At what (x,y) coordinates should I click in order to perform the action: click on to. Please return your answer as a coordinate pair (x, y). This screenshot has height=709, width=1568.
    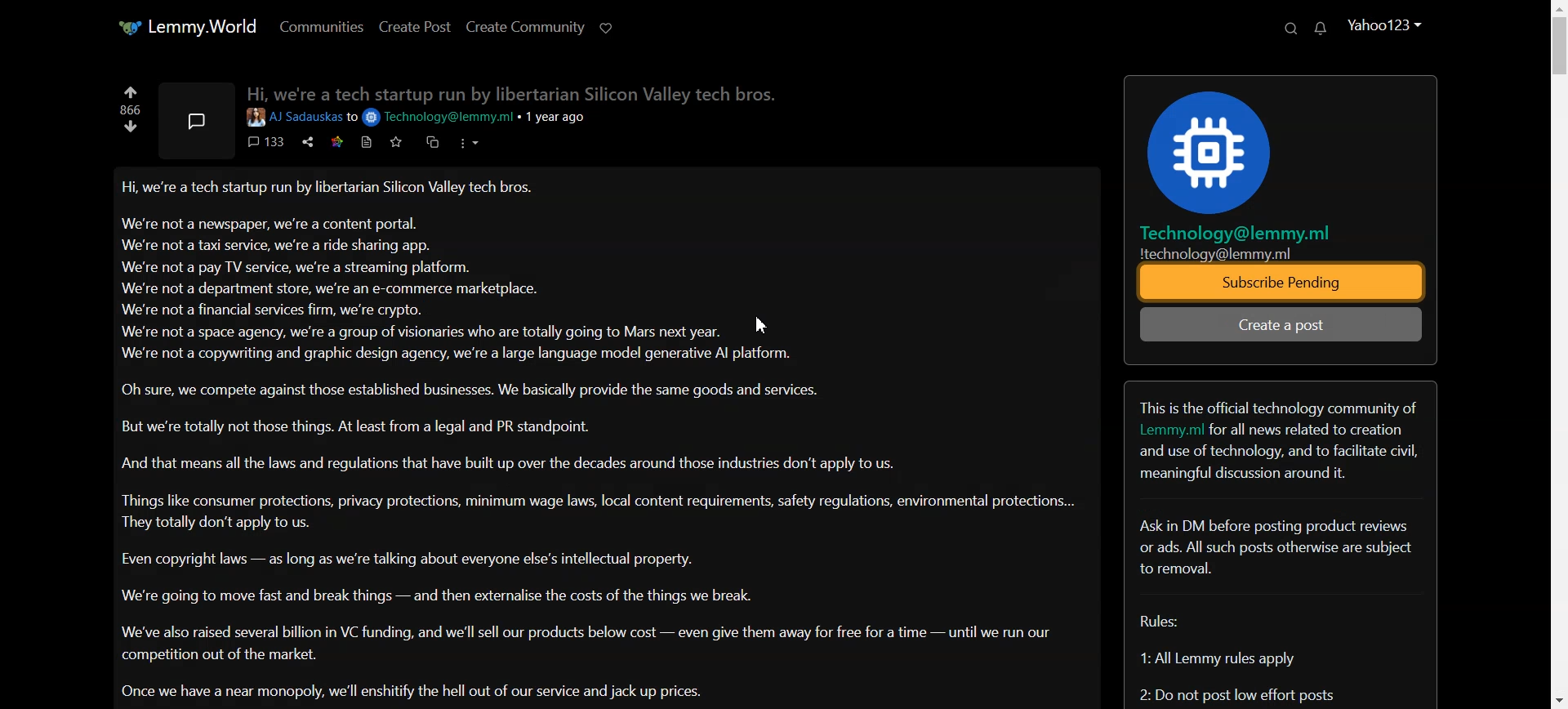
    Looking at the image, I should click on (365, 118).